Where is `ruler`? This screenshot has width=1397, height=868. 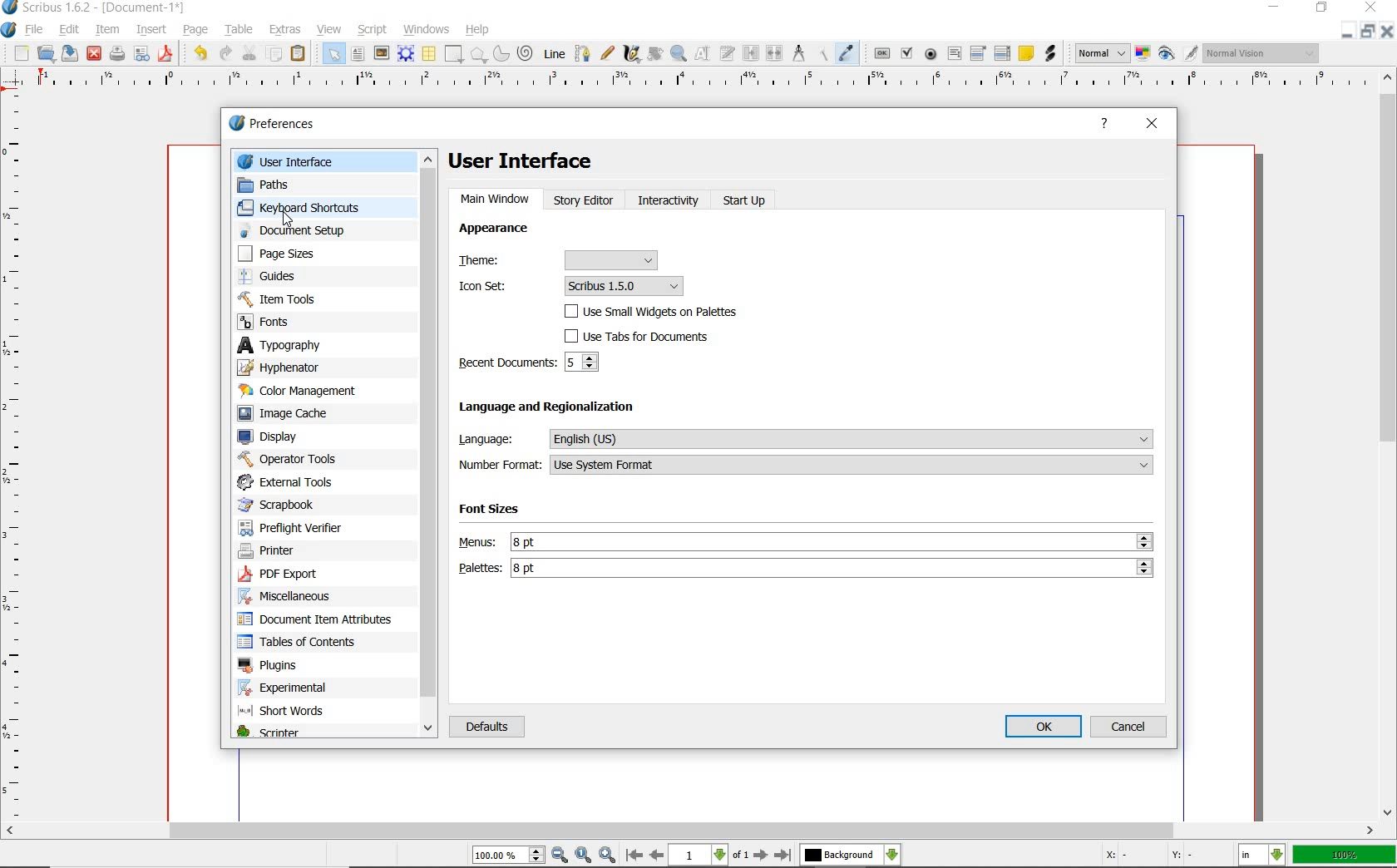
ruler is located at coordinates (15, 459).